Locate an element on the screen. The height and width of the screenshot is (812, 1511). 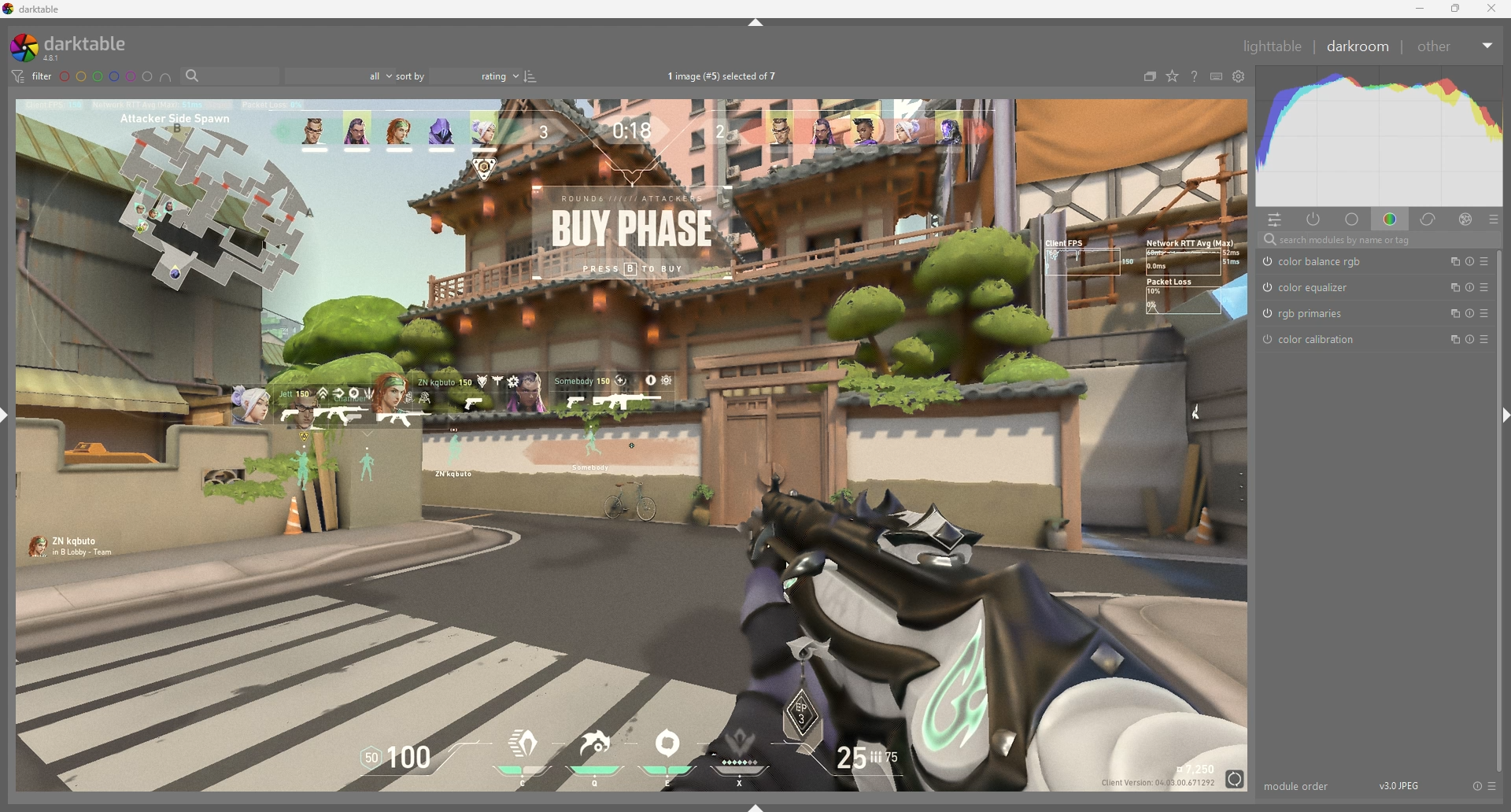
change type of overlays is located at coordinates (1173, 76).